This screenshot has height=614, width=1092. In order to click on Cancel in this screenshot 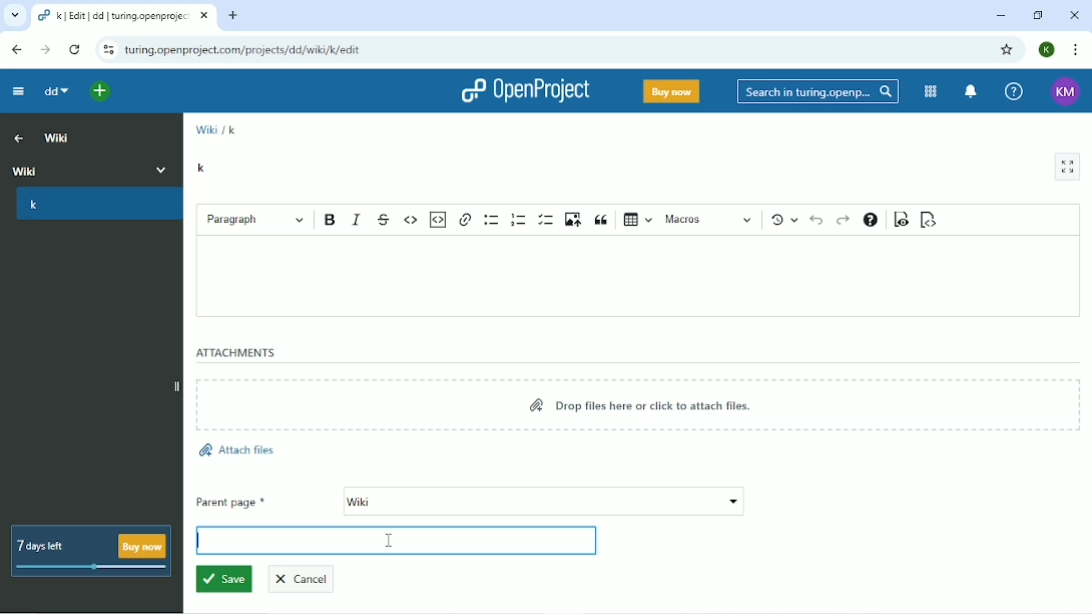, I will do `click(308, 577)`.